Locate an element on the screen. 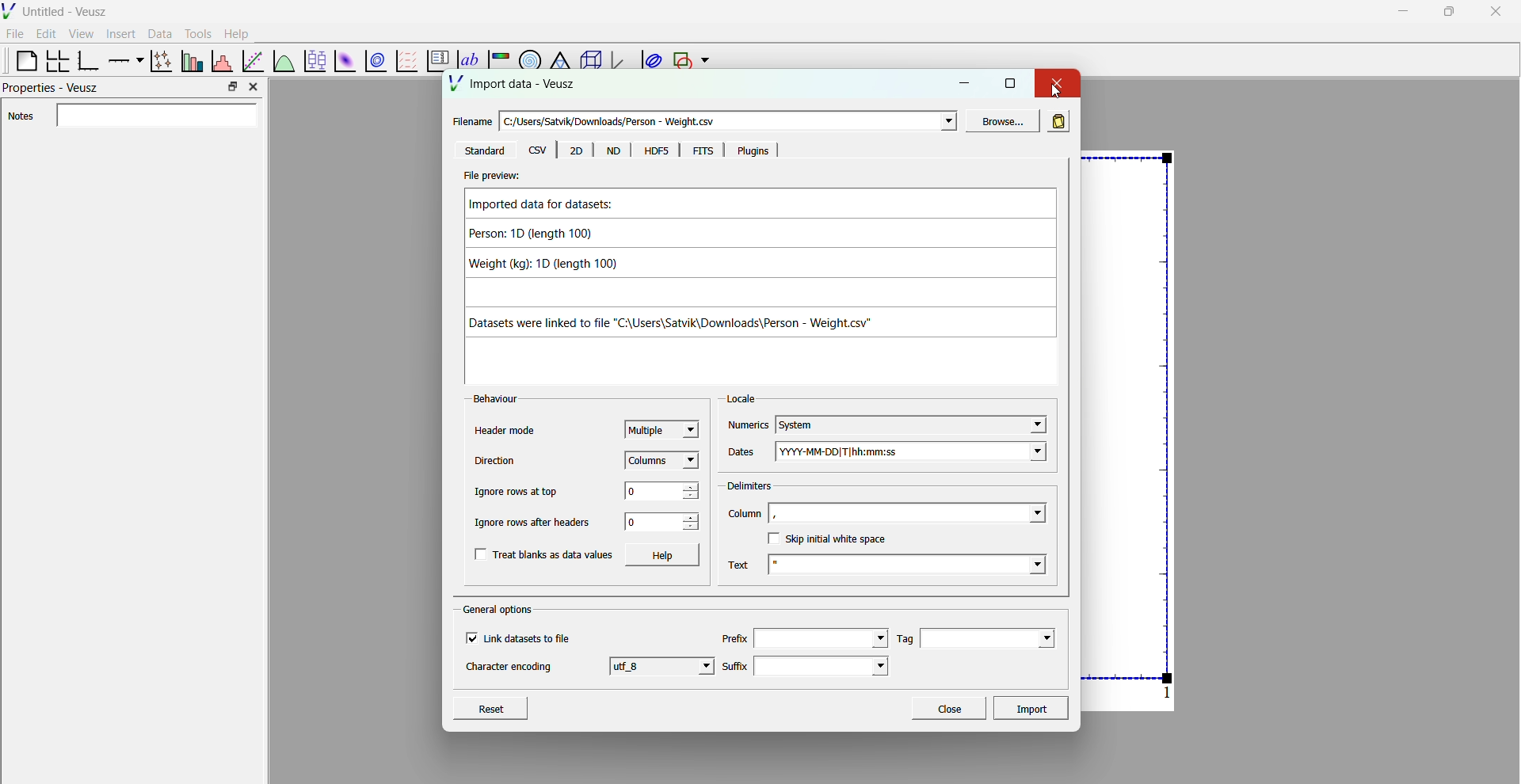  Multiple - dropdown is located at coordinates (661, 429).